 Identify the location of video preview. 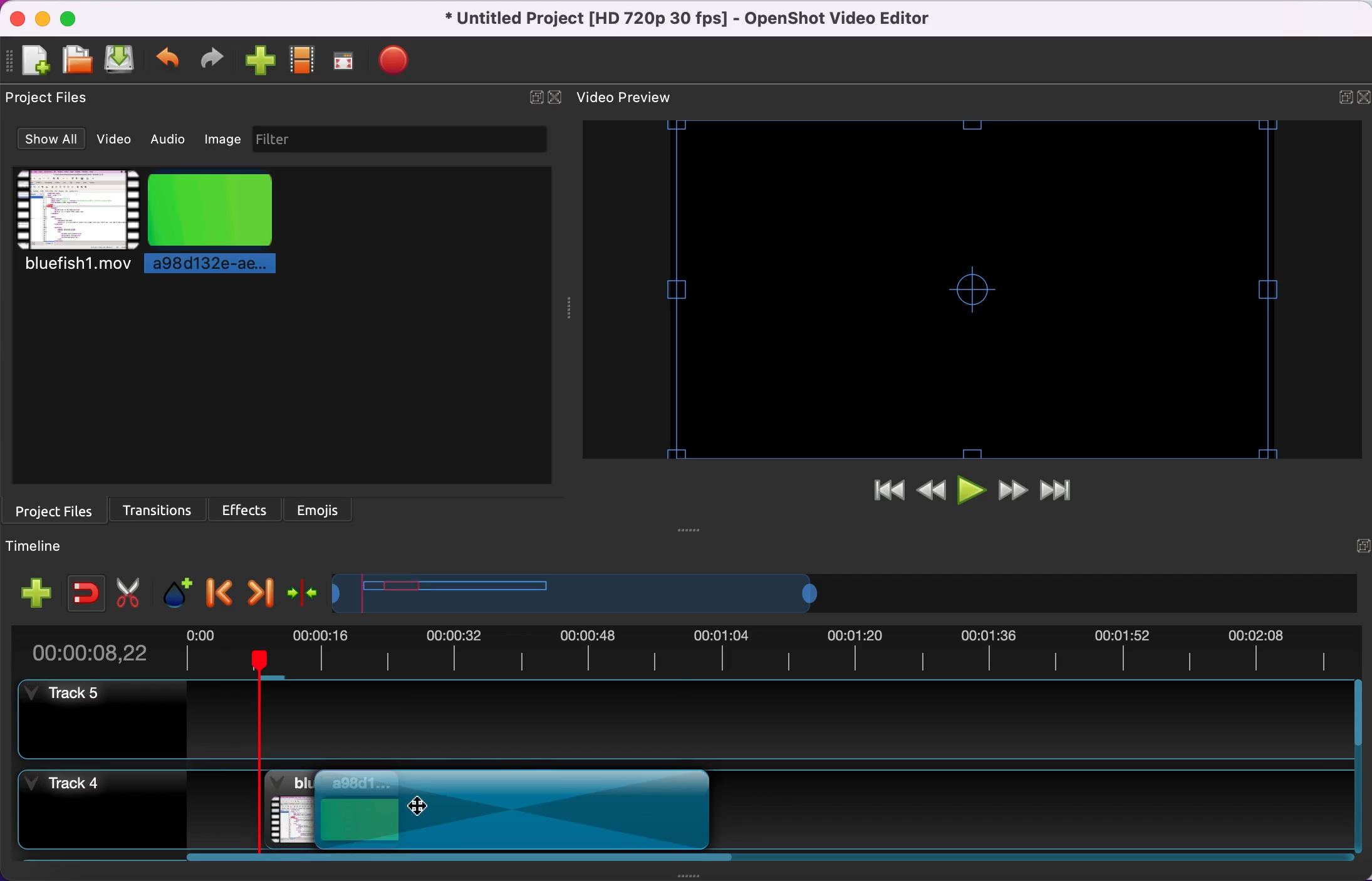
(979, 285).